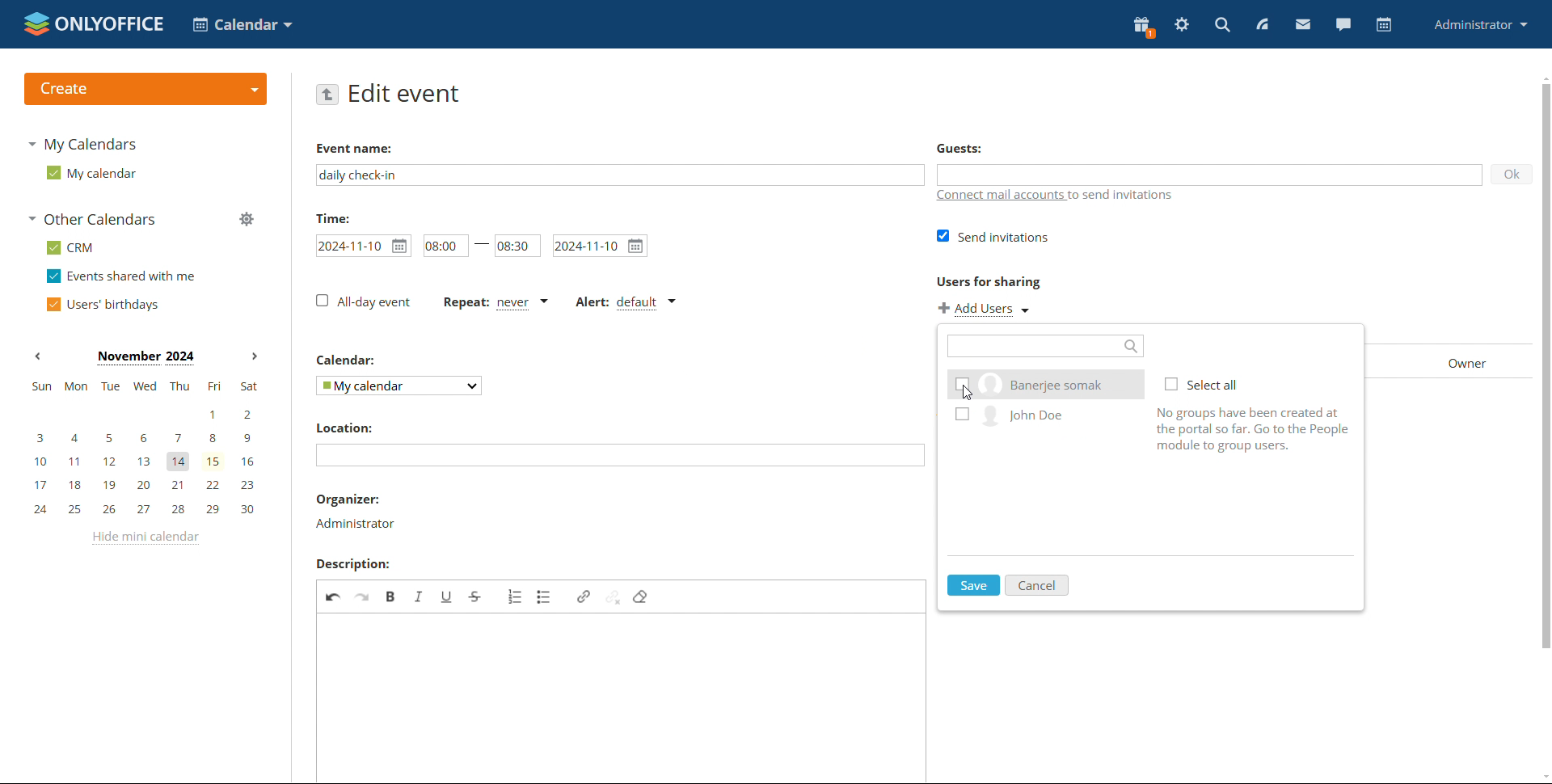 The height and width of the screenshot is (784, 1552). Describe the element at coordinates (368, 145) in the screenshot. I see `event name:` at that location.